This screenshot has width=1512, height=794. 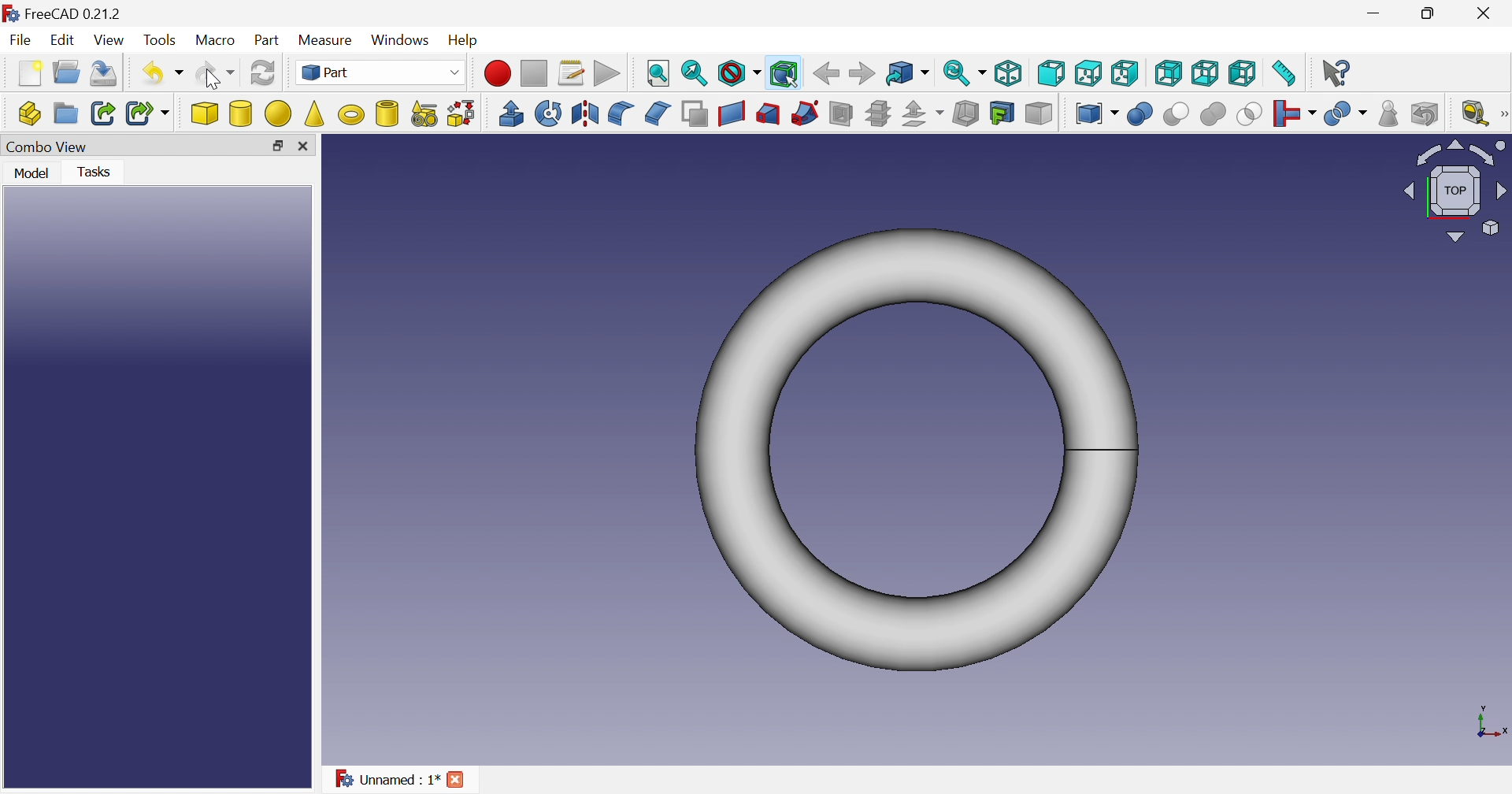 I want to click on Go to linked object, so click(x=906, y=74).